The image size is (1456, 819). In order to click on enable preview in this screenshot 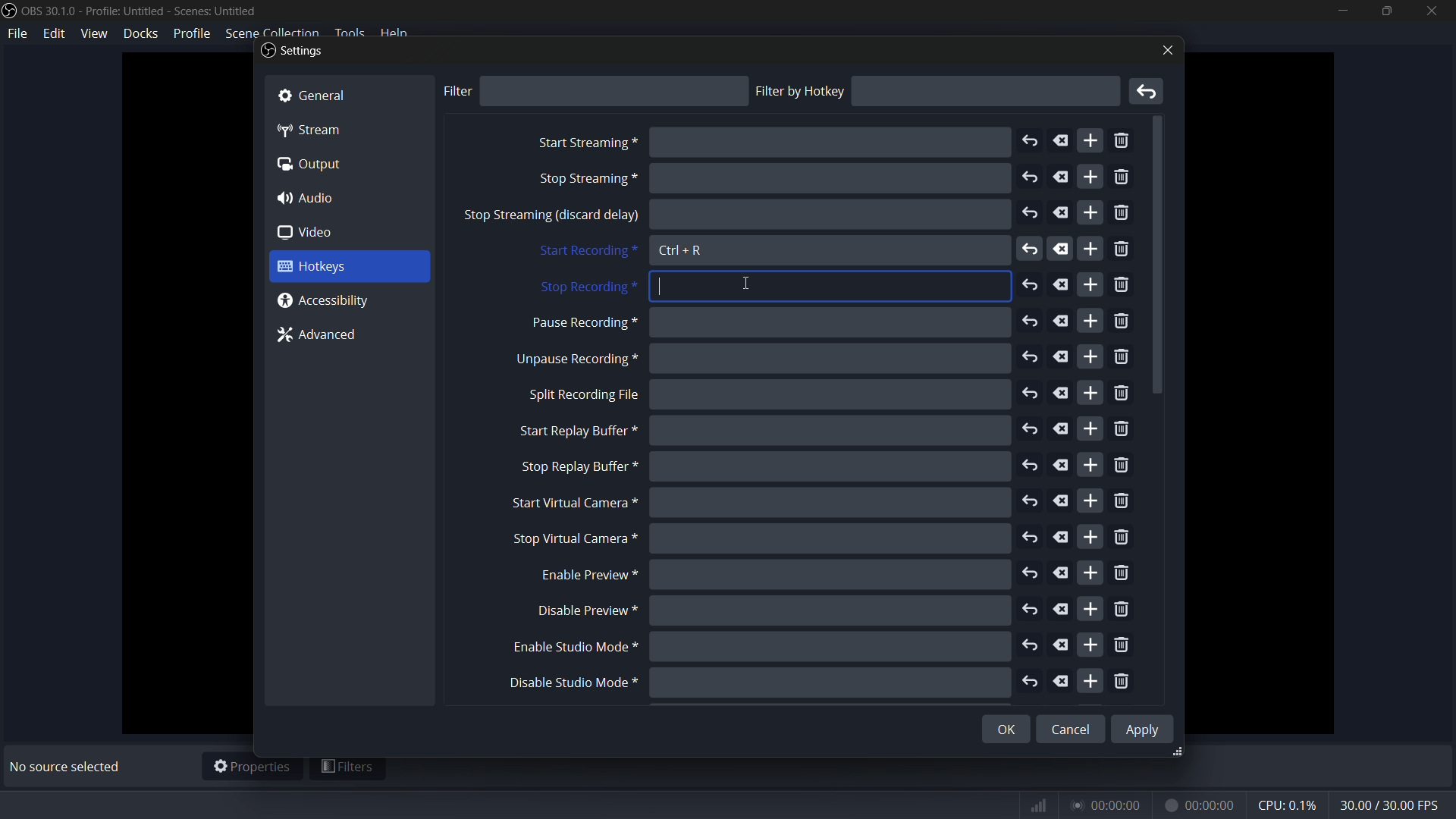, I will do `click(583, 576)`.